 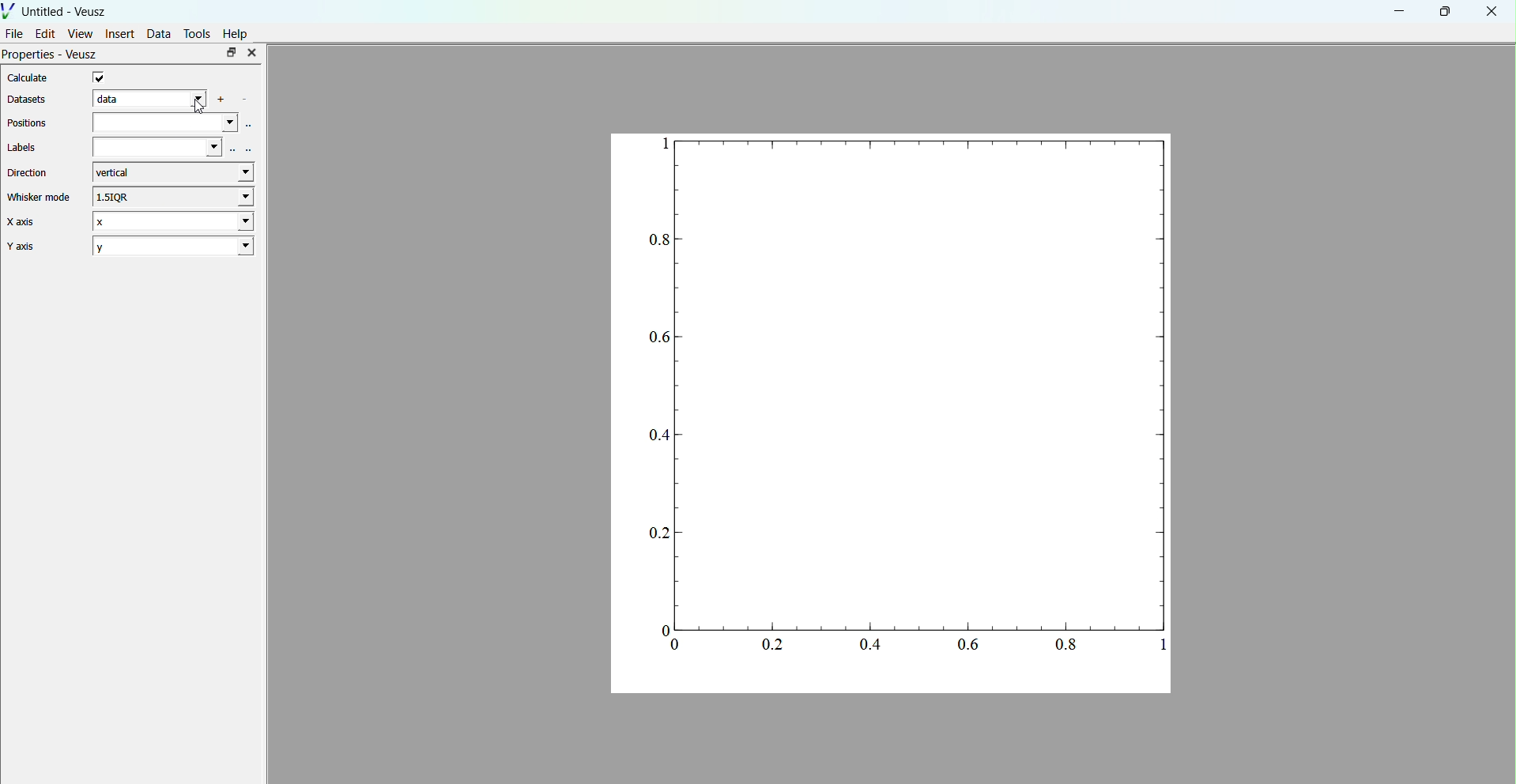 I want to click on Tools, so click(x=198, y=33).